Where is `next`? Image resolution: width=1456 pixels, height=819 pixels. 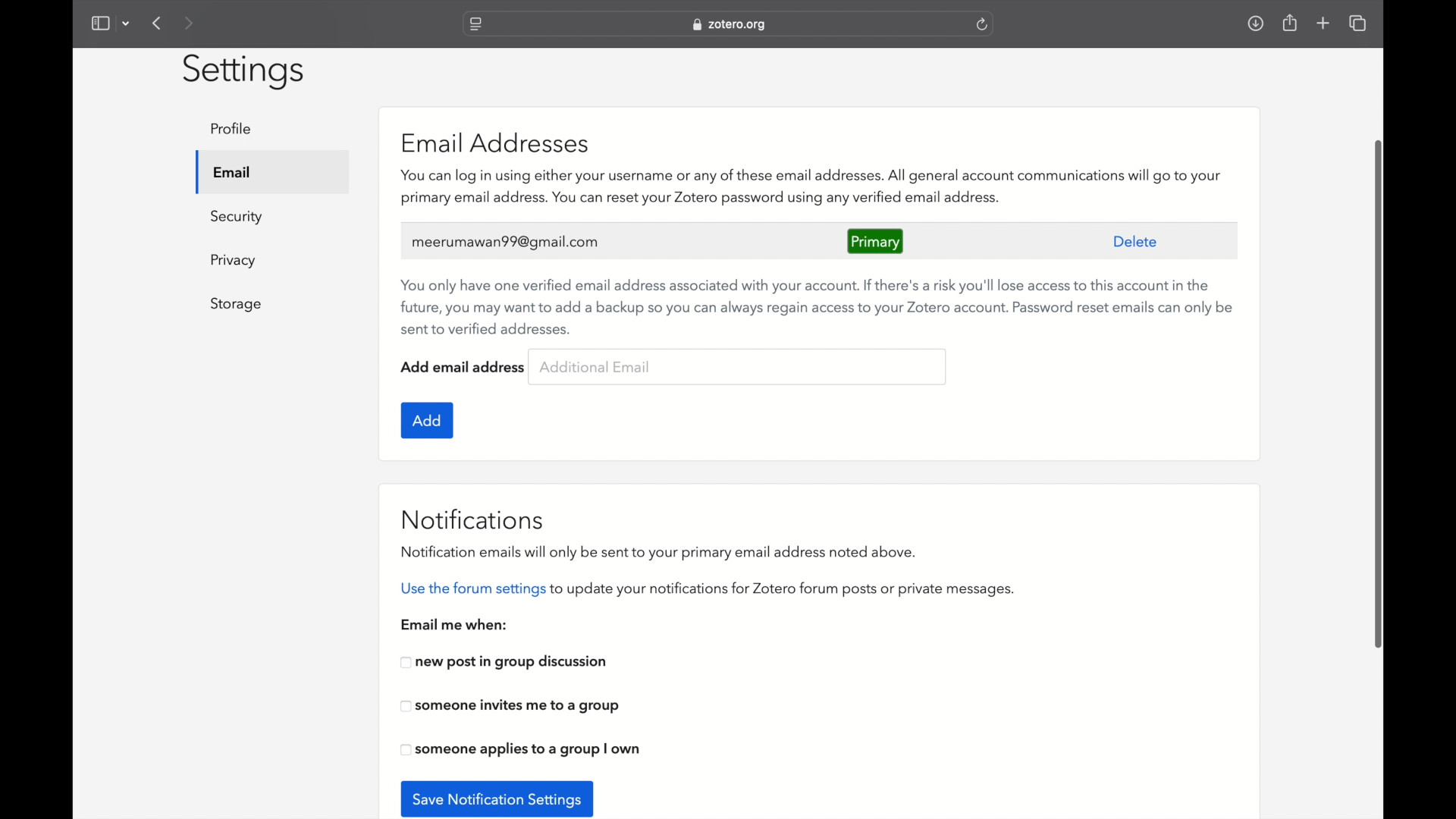
next is located at coordinates (188, 23).